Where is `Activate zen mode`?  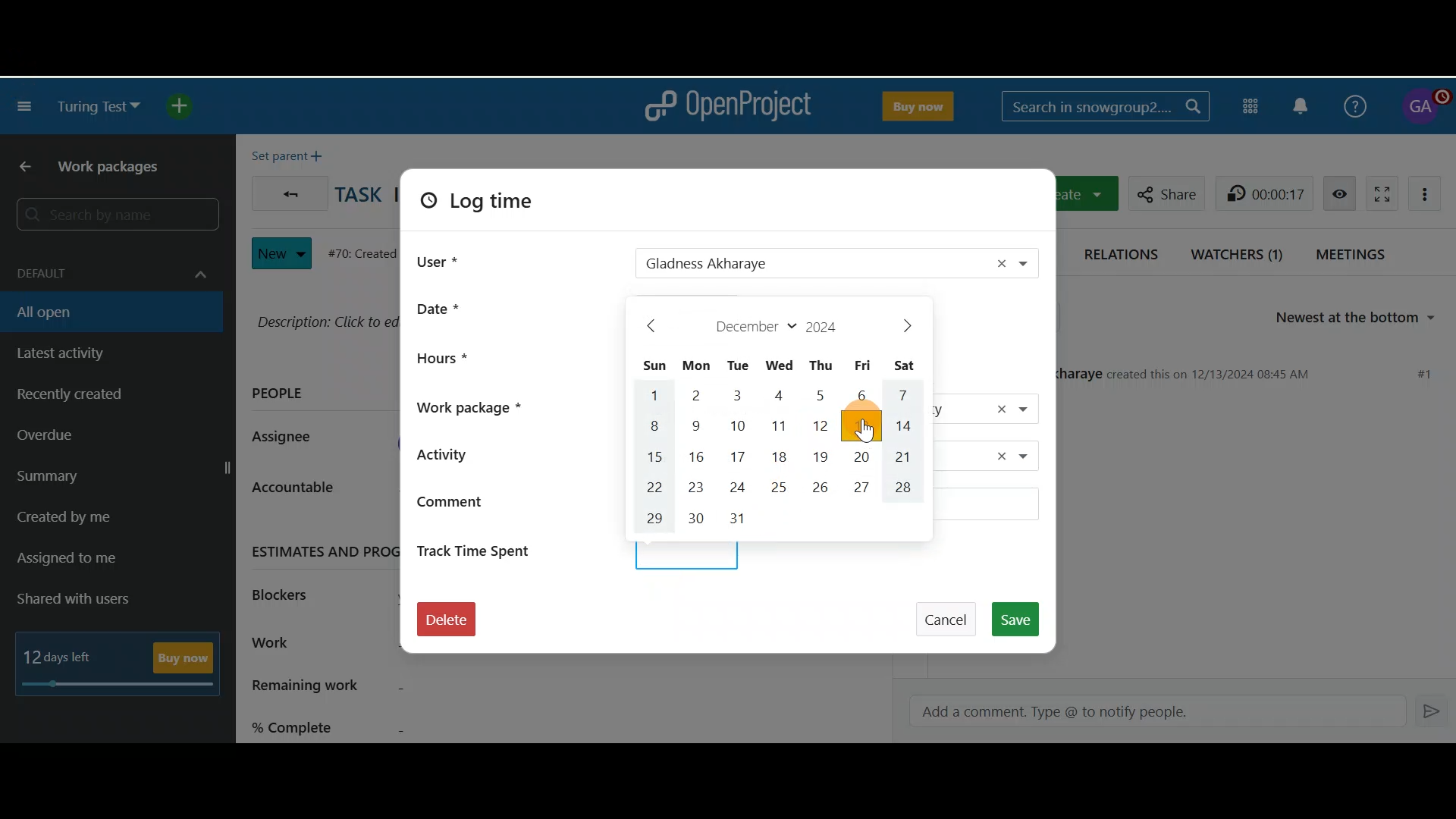 Activate zen mode is located at coordinates (1378, 191).